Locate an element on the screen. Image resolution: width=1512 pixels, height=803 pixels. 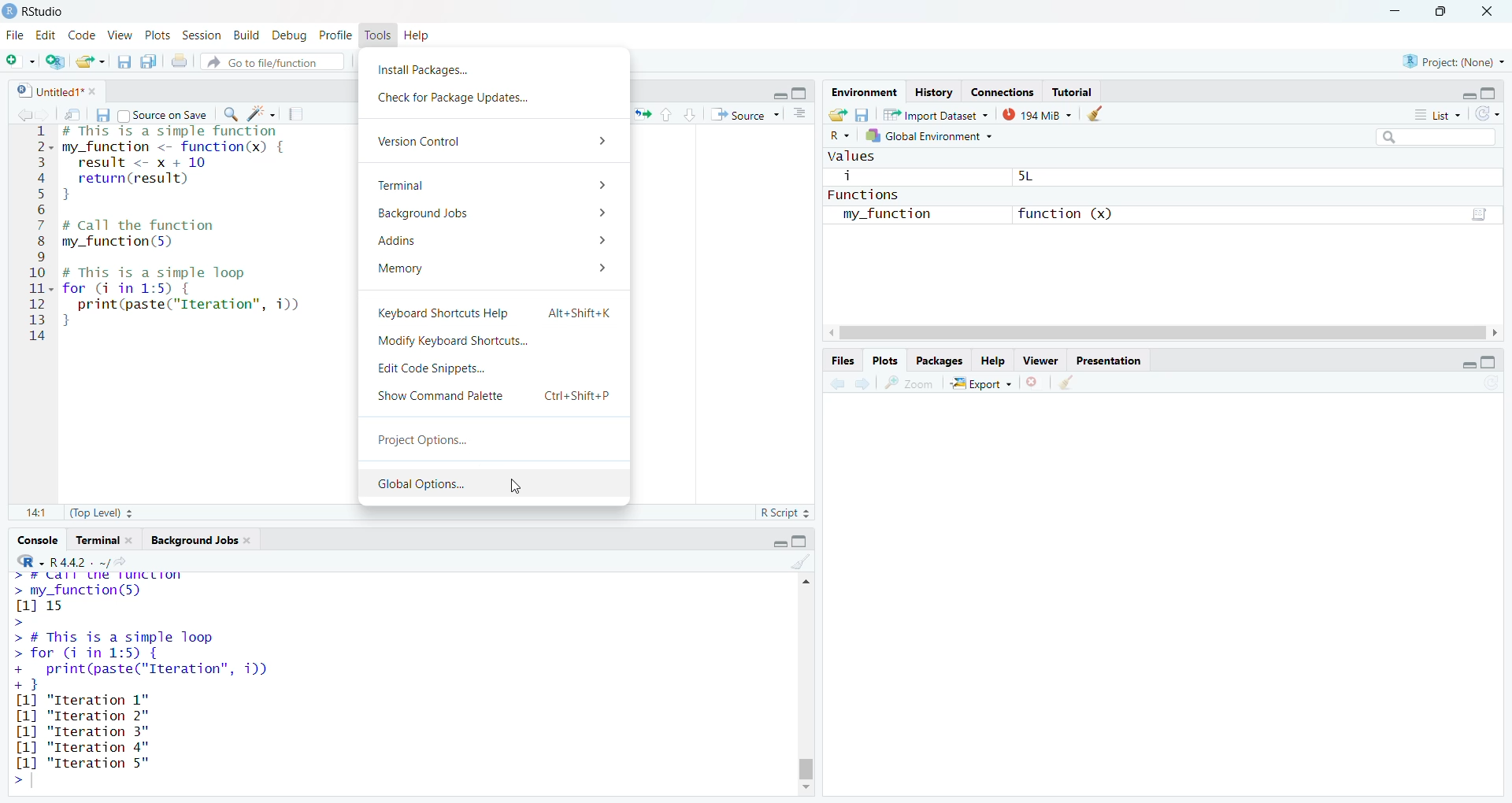
empty plot area is located at coordinates (1169, 604).